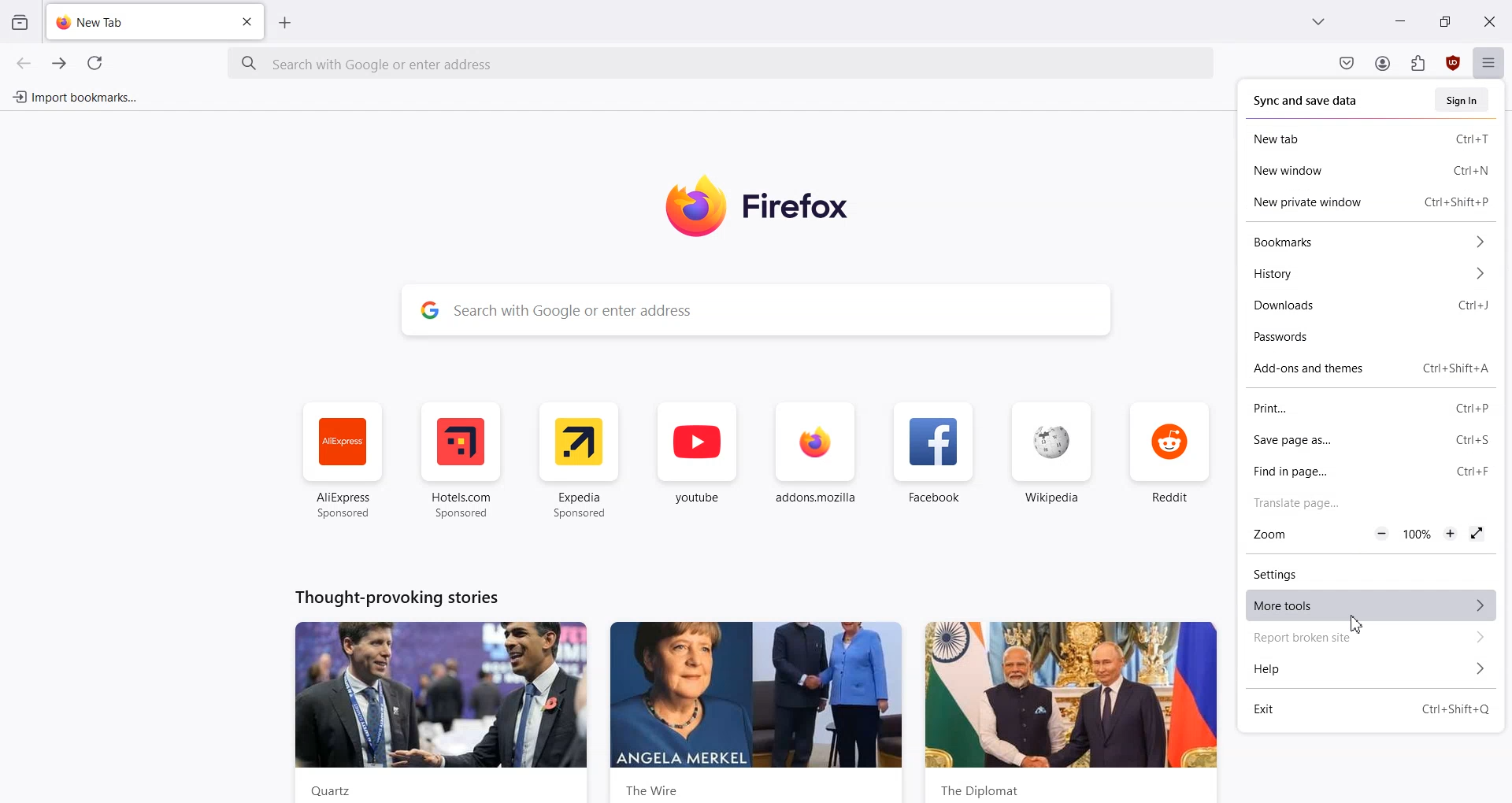 Image resolution: width=1512 pixels, height=803 pixels. I want to click on Close, so click(1489, 20).